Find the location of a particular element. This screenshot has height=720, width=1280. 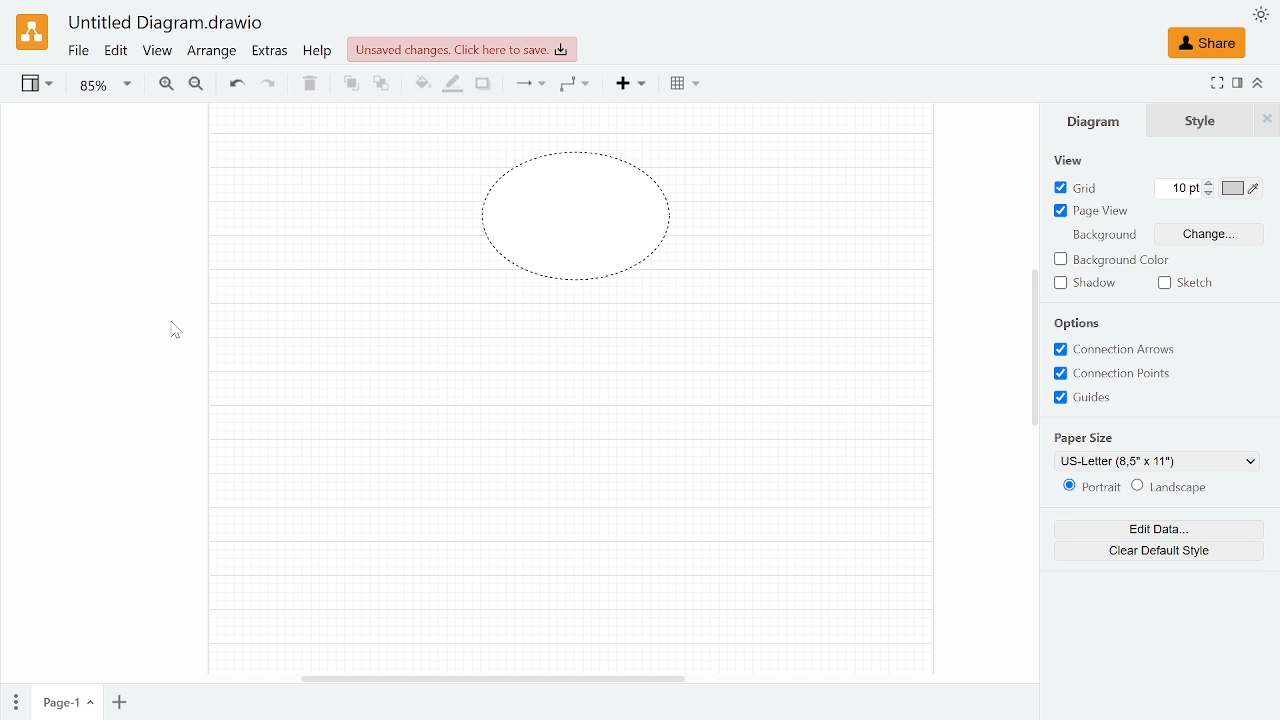

Horizontal scrollbar is located at coordinates (490, 678).